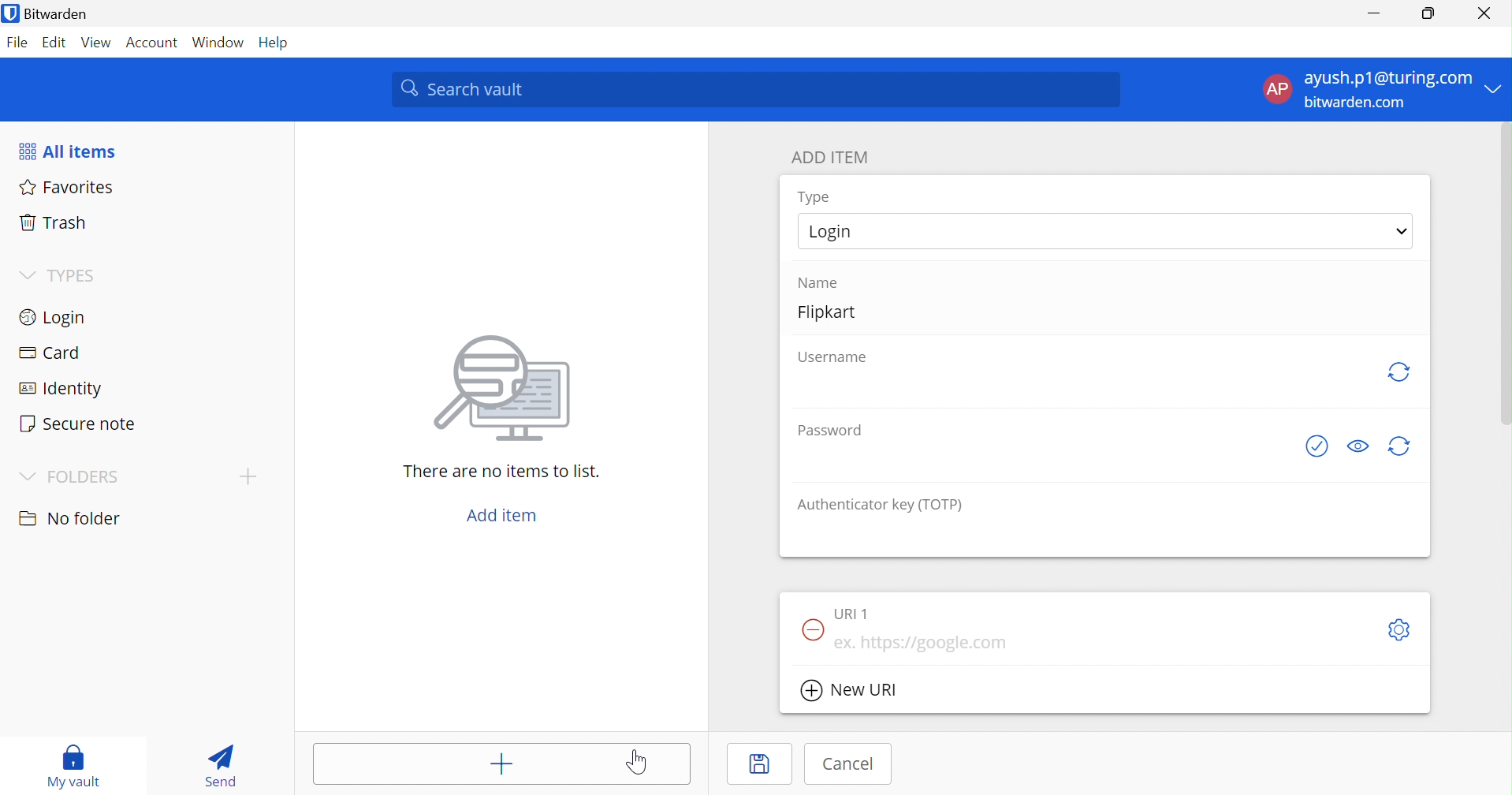 Image resolution: width=1512 pixels, height=795 pixels. Describe the element at coordinates (153, 43) in the screenshot. I see `Account` at that location.